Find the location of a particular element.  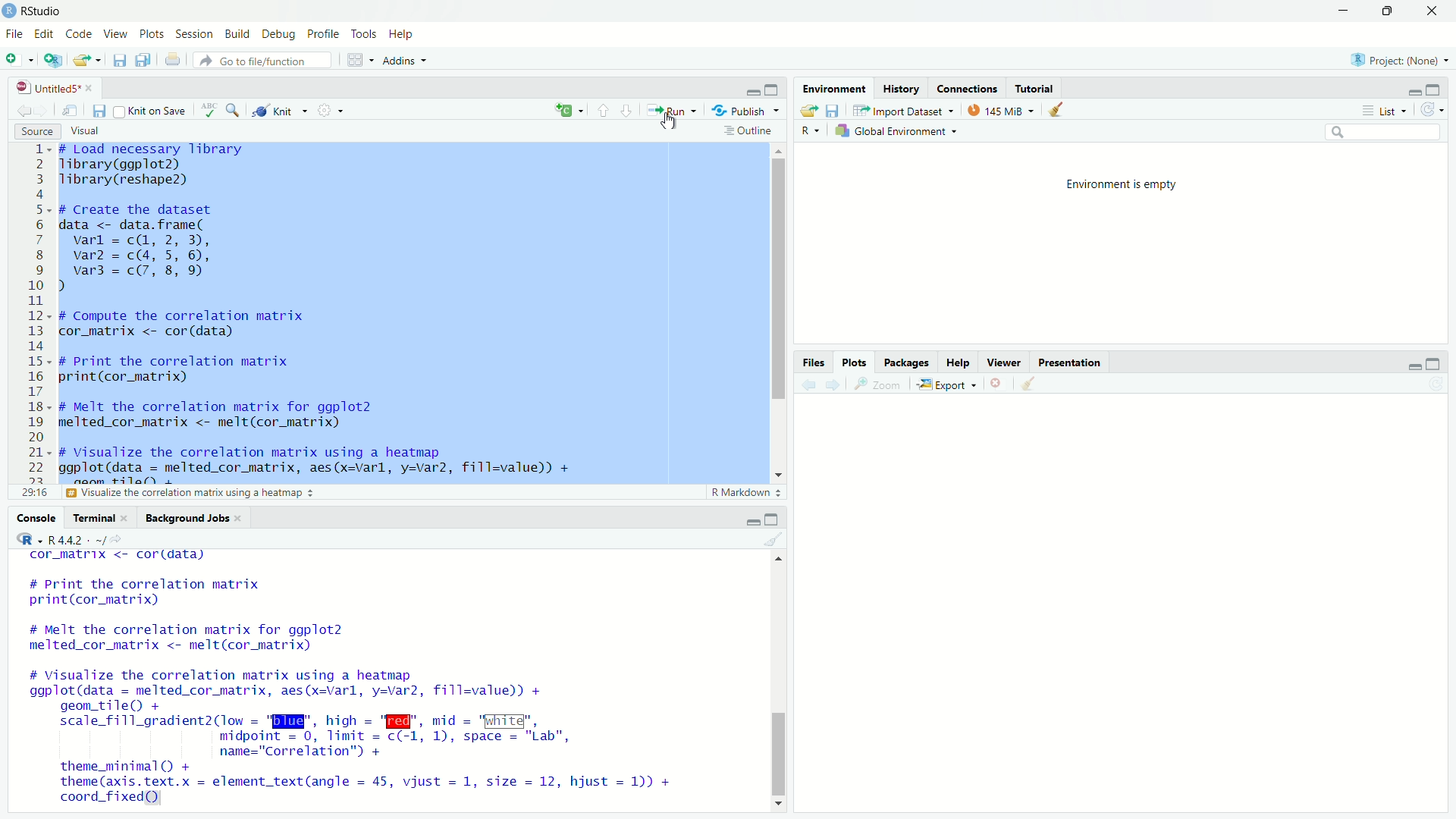

save current document is located at coordinates (100, 111).